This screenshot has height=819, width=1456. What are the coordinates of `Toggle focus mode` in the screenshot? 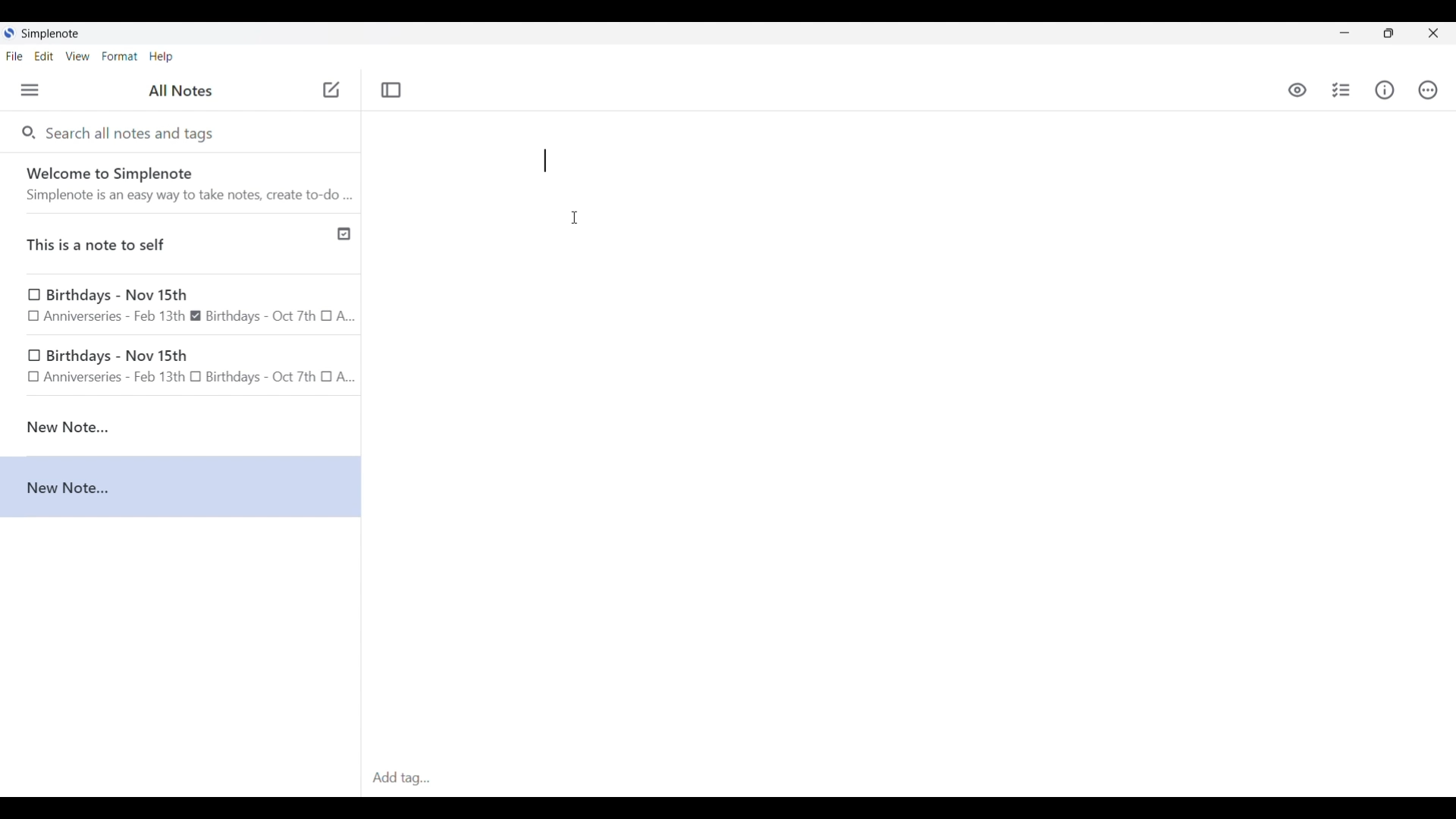 It's located at (391, 90).